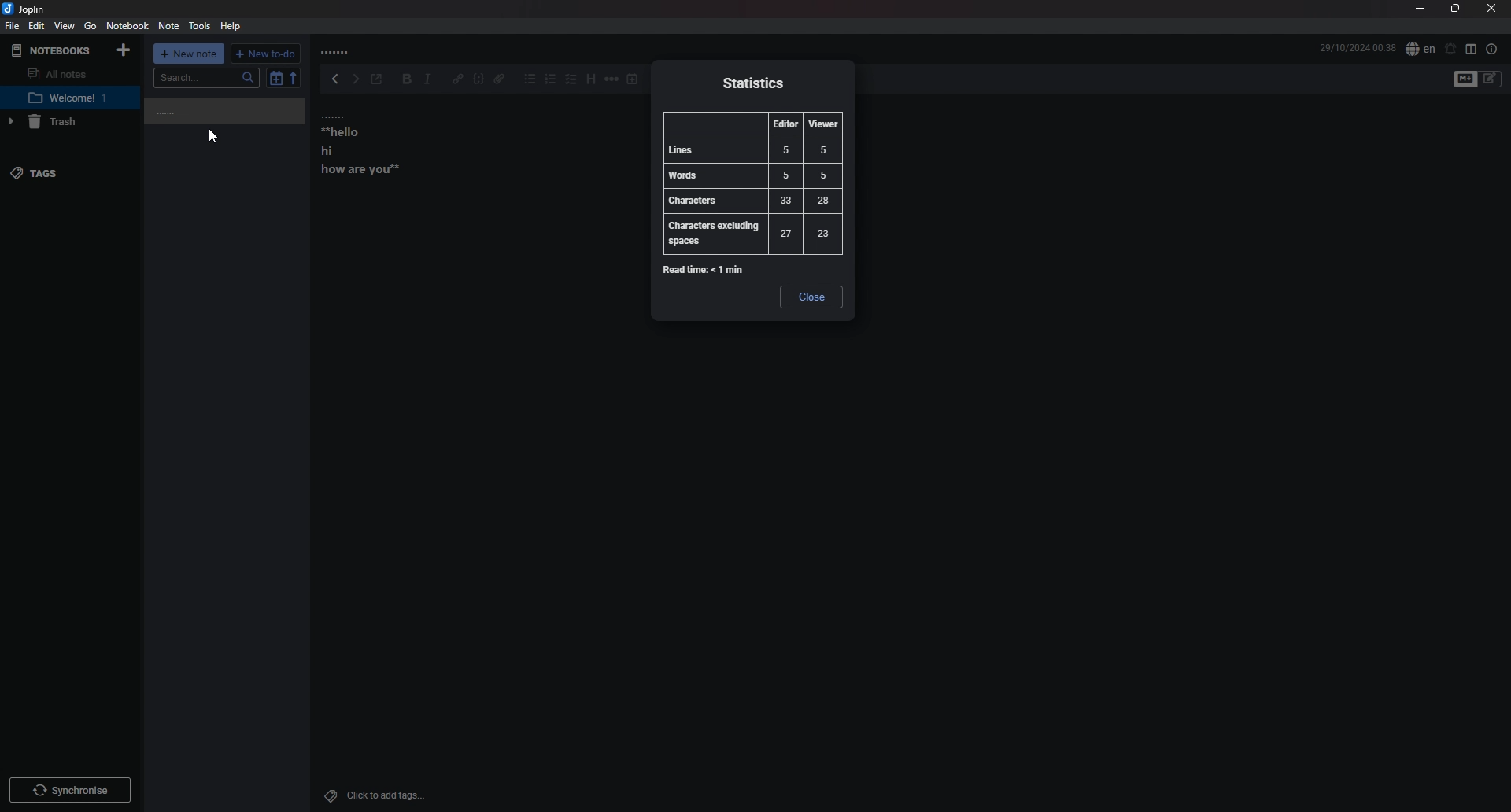 The height and width of the screenshot is (812, 1511). I want to click on bold, so click(408, 80).